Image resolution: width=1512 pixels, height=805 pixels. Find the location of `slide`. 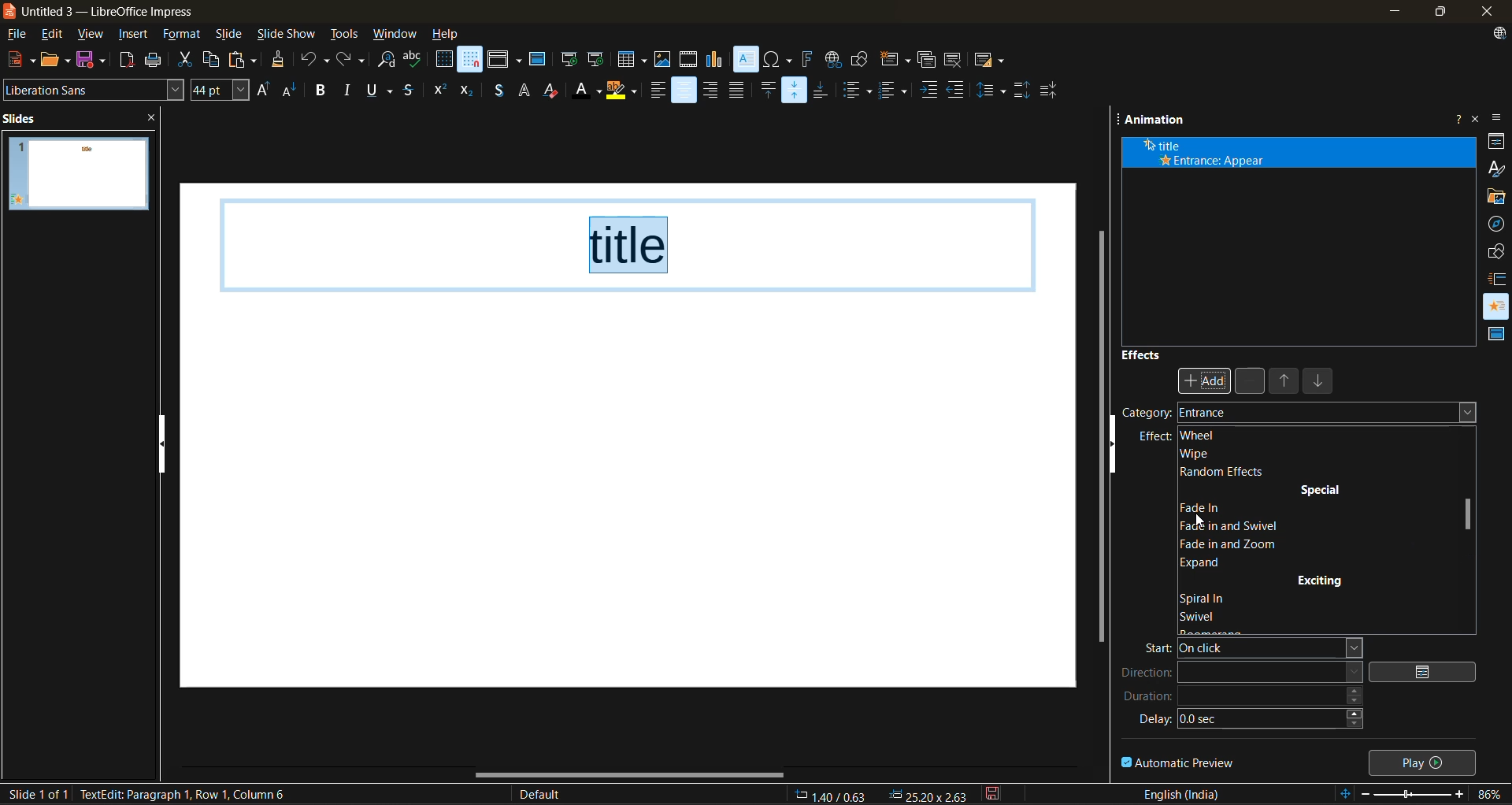

slide is located at coordinates (231, 36).